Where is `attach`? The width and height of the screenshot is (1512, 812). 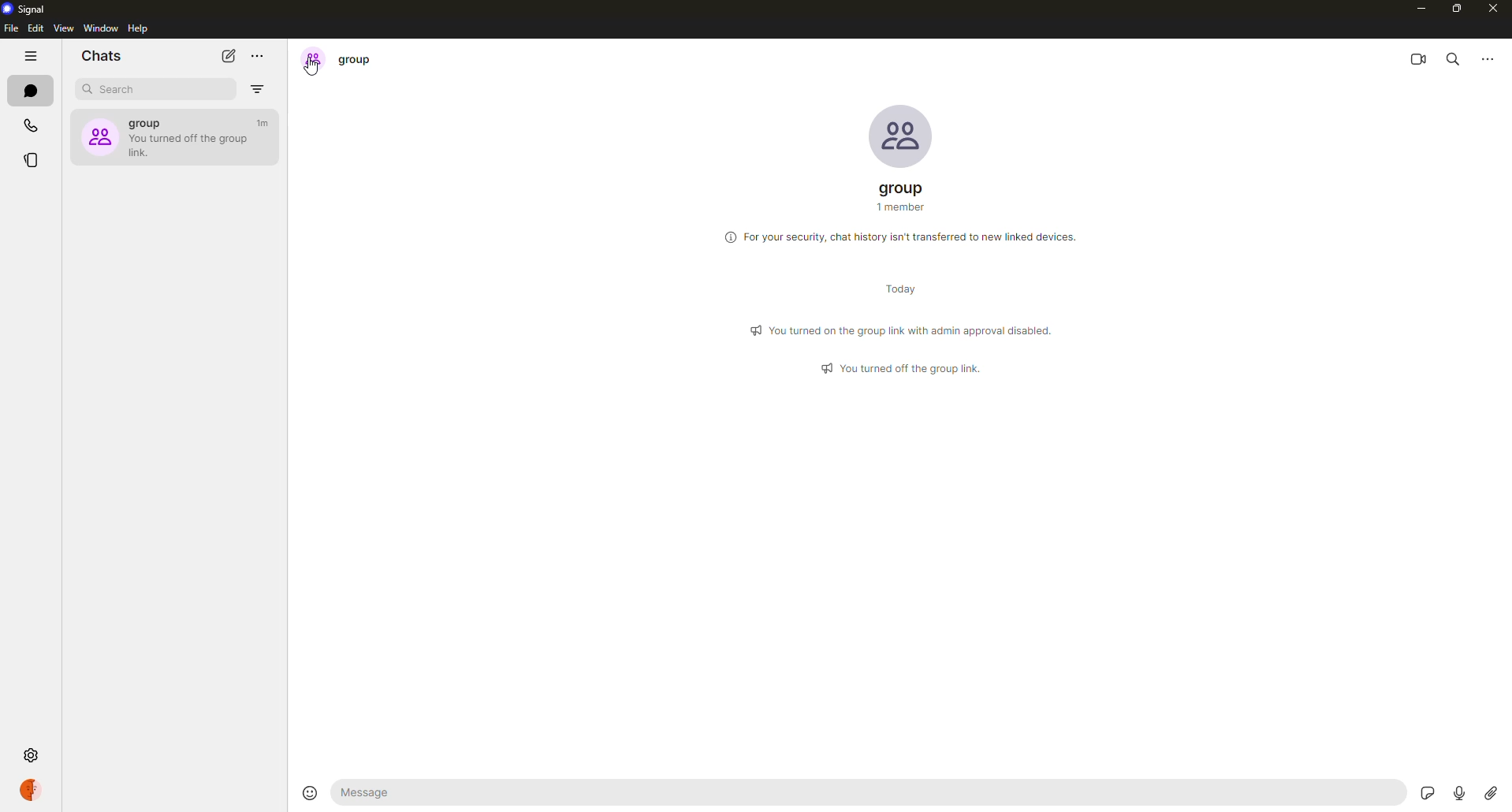 attach is located at coordinates (1492, 792).